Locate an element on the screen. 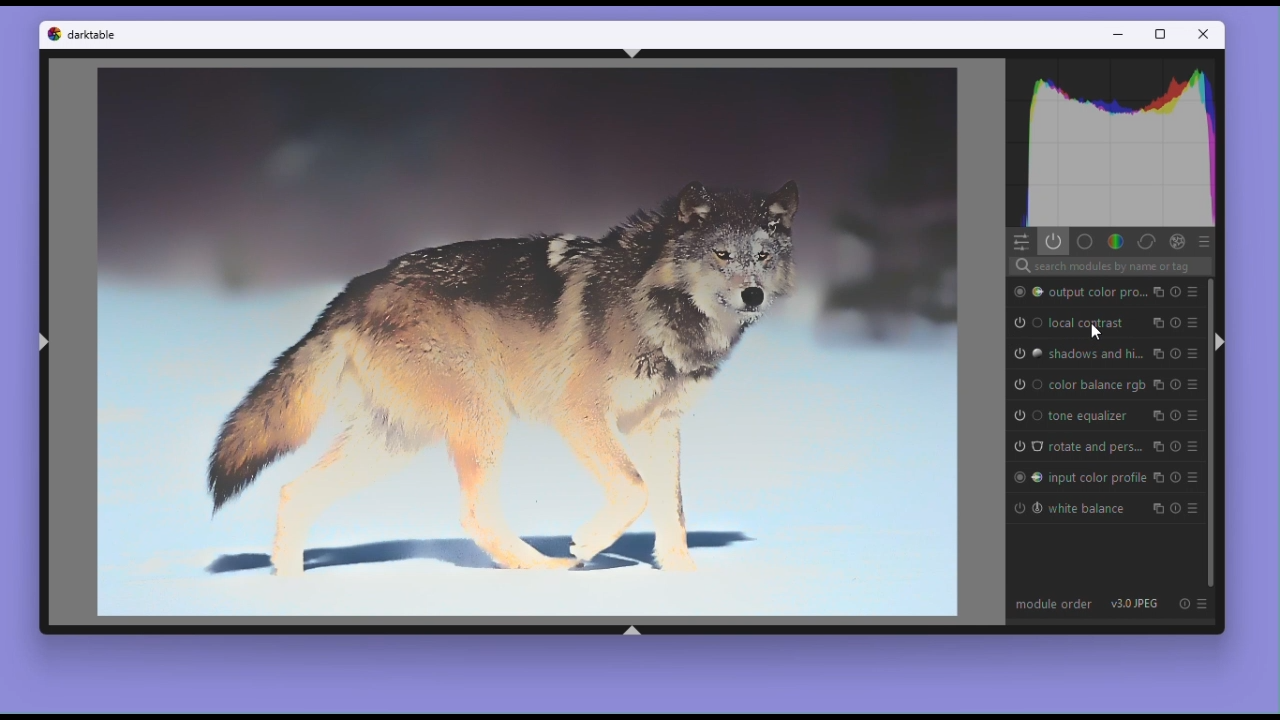 The height and width of the screenshot is (720, 1280). 'tone equalizer' is switched on is located at coordinates (1026, 416).